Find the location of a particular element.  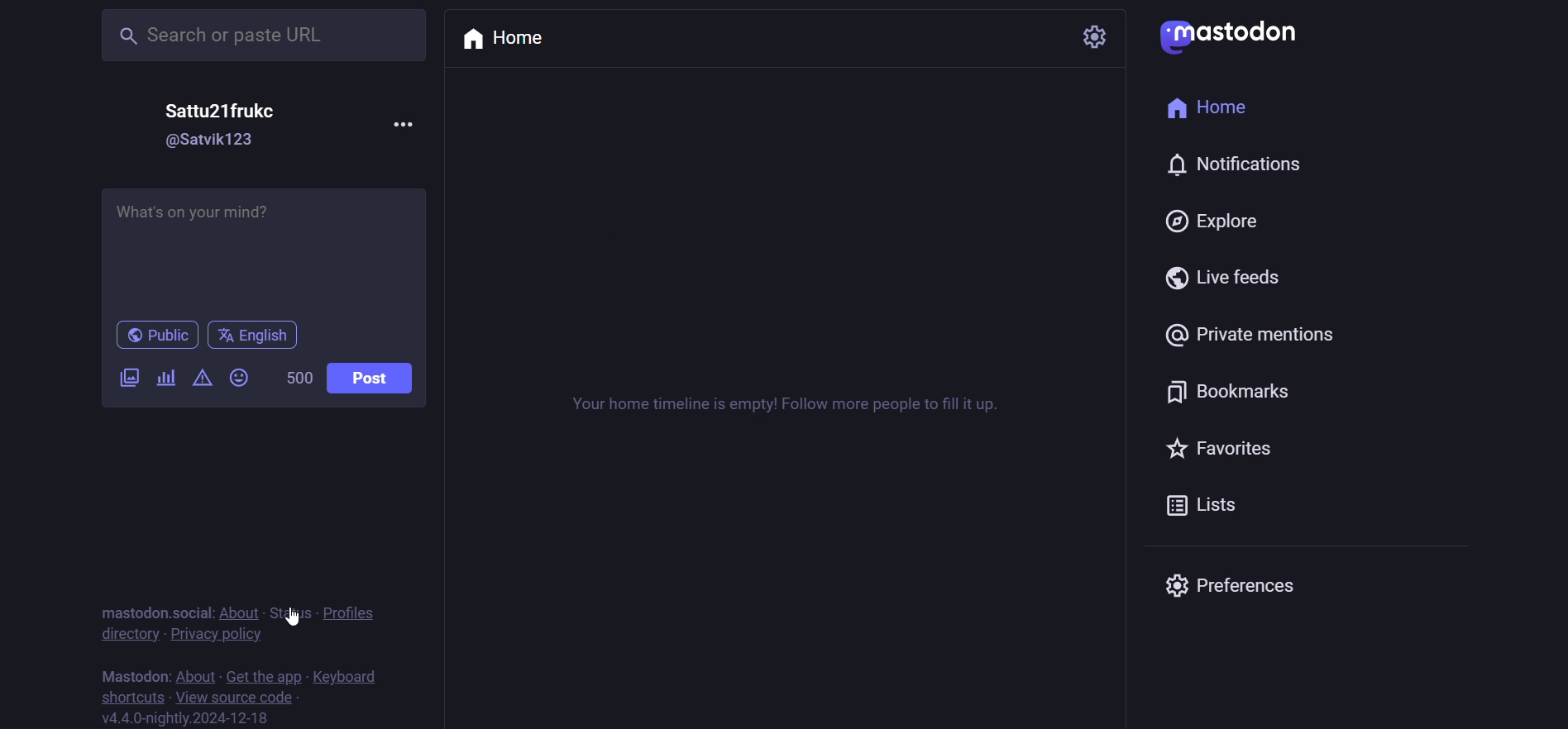

shortcut is located at coordinates (129, 696).